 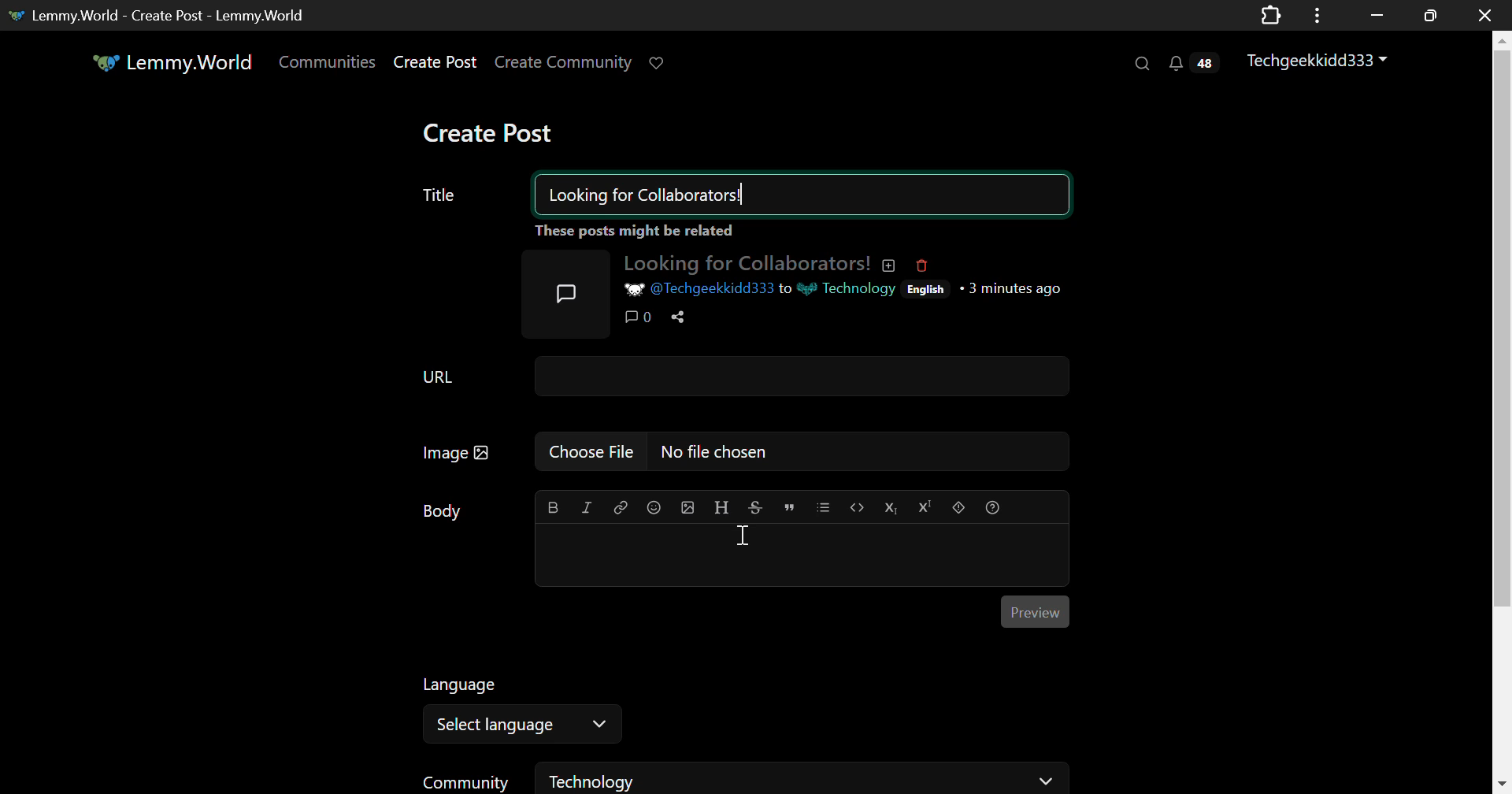 What do you see at coordinates (638, 317) in the screenshot?
I see `Comments` at bounding box center [638, 317].